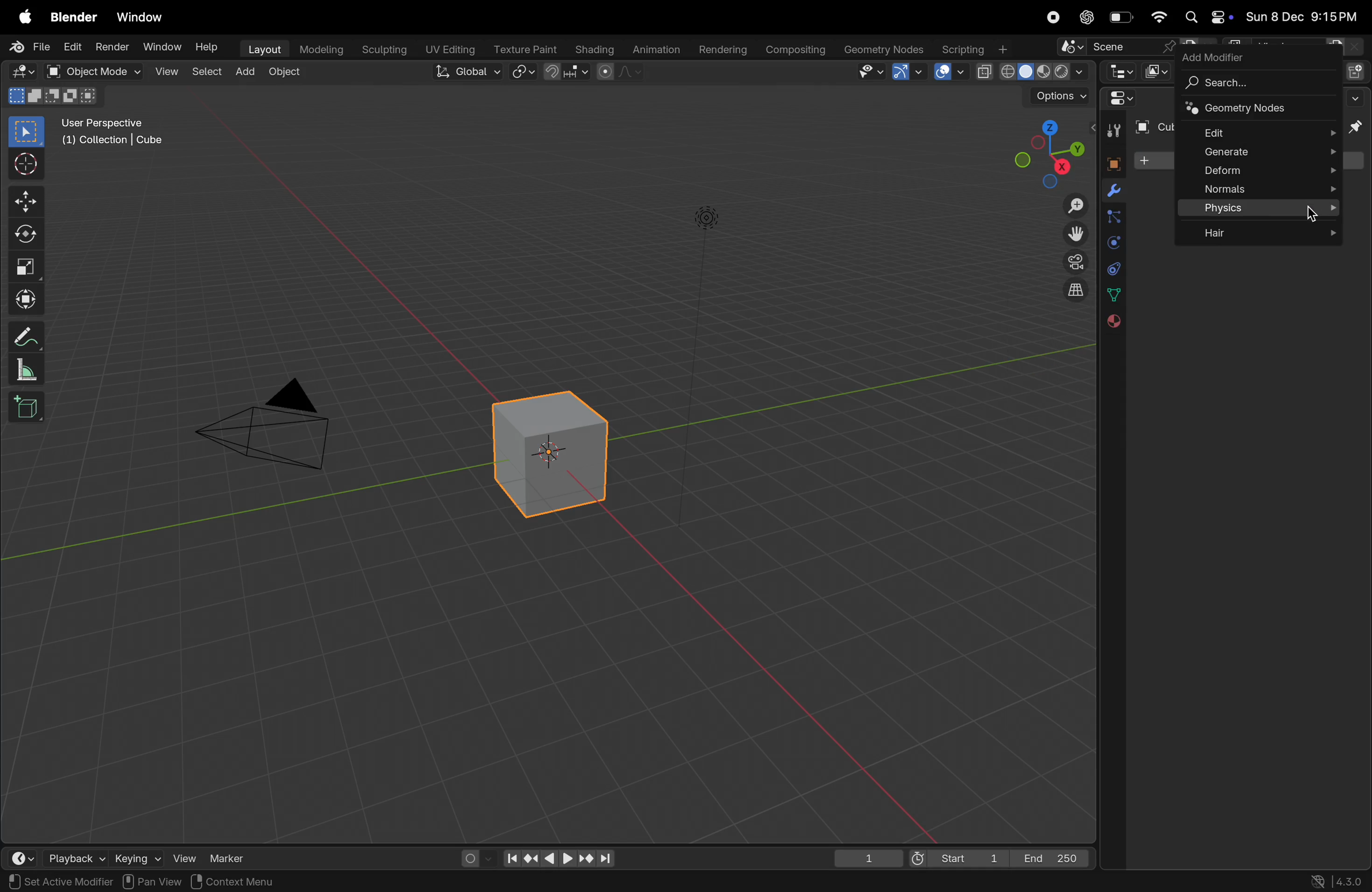  What do you see at coordinates (721, 50) in the screenshot?
I see `rendering` at bounding box center [721, 50].